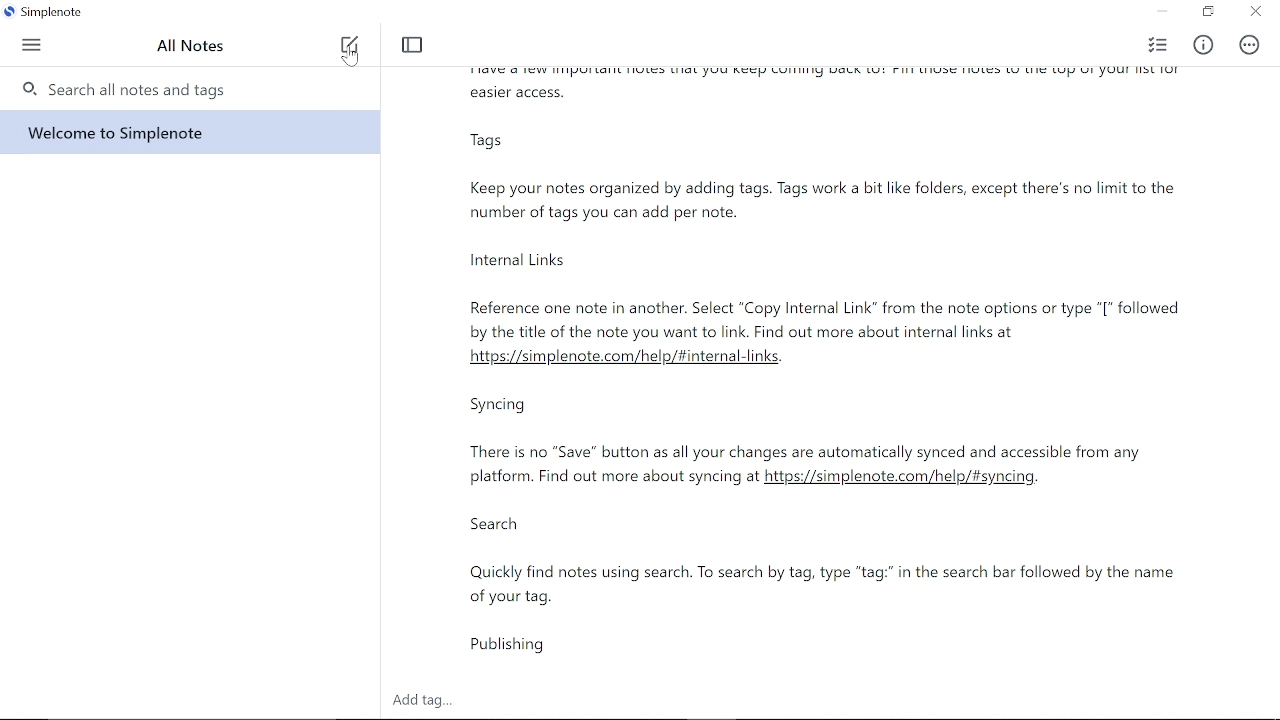 The width and height of the screenshot is (1280, 720). I want to click on Actions, so click(1249, 46).